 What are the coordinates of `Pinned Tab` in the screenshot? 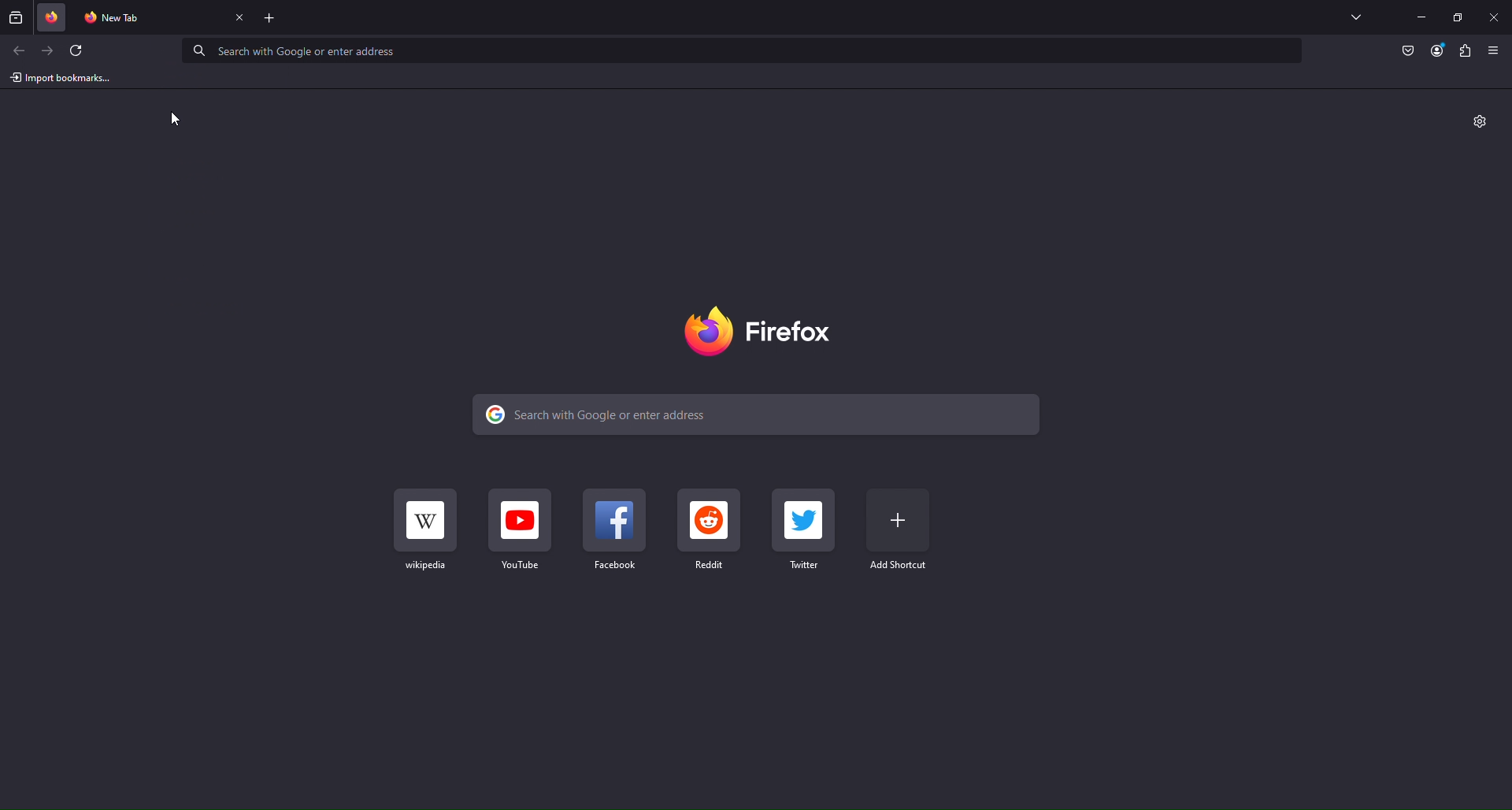 It's located at (53, 18).